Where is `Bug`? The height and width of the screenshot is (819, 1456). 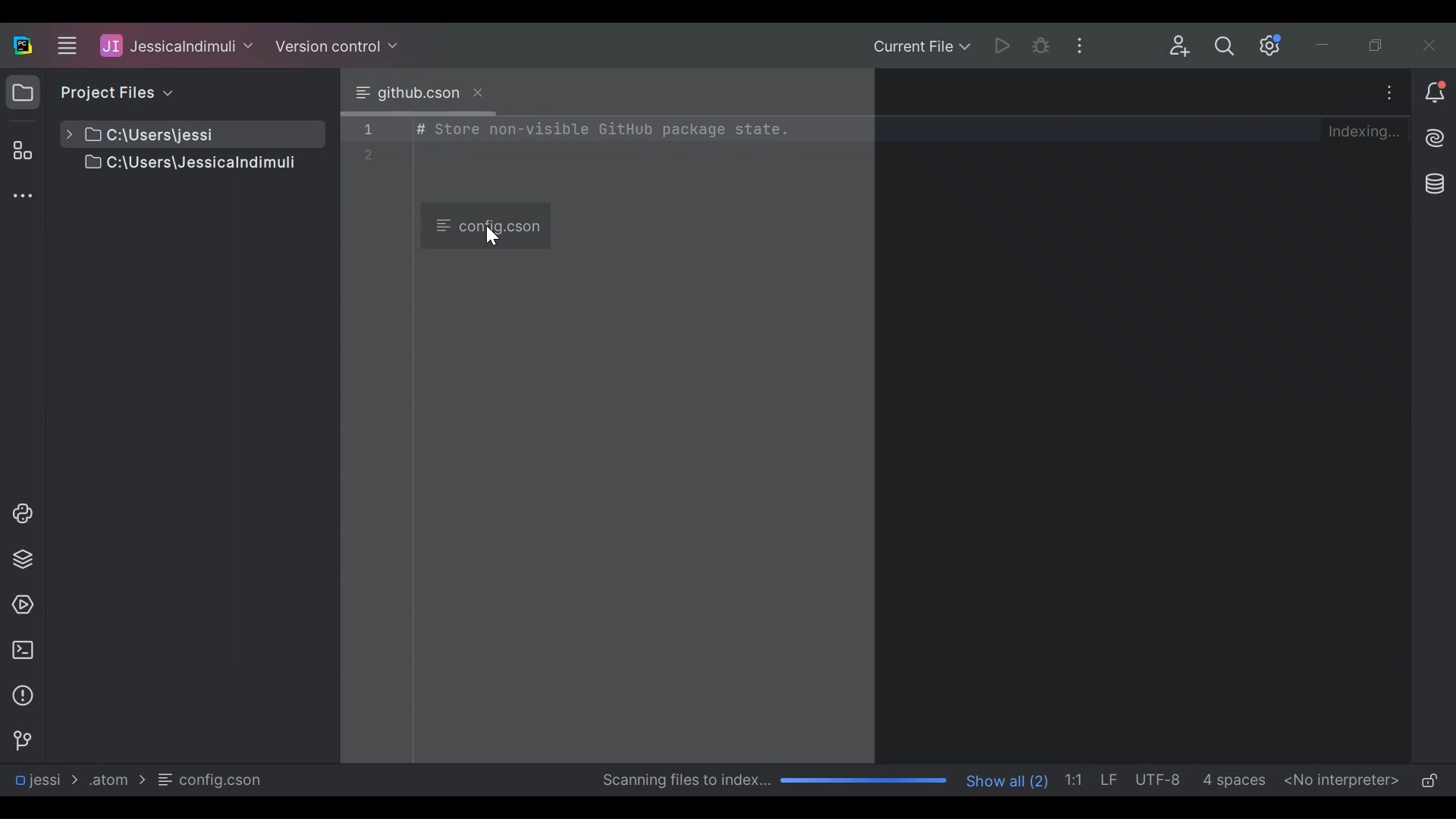 Bug is located at coordinates (1041, 45).